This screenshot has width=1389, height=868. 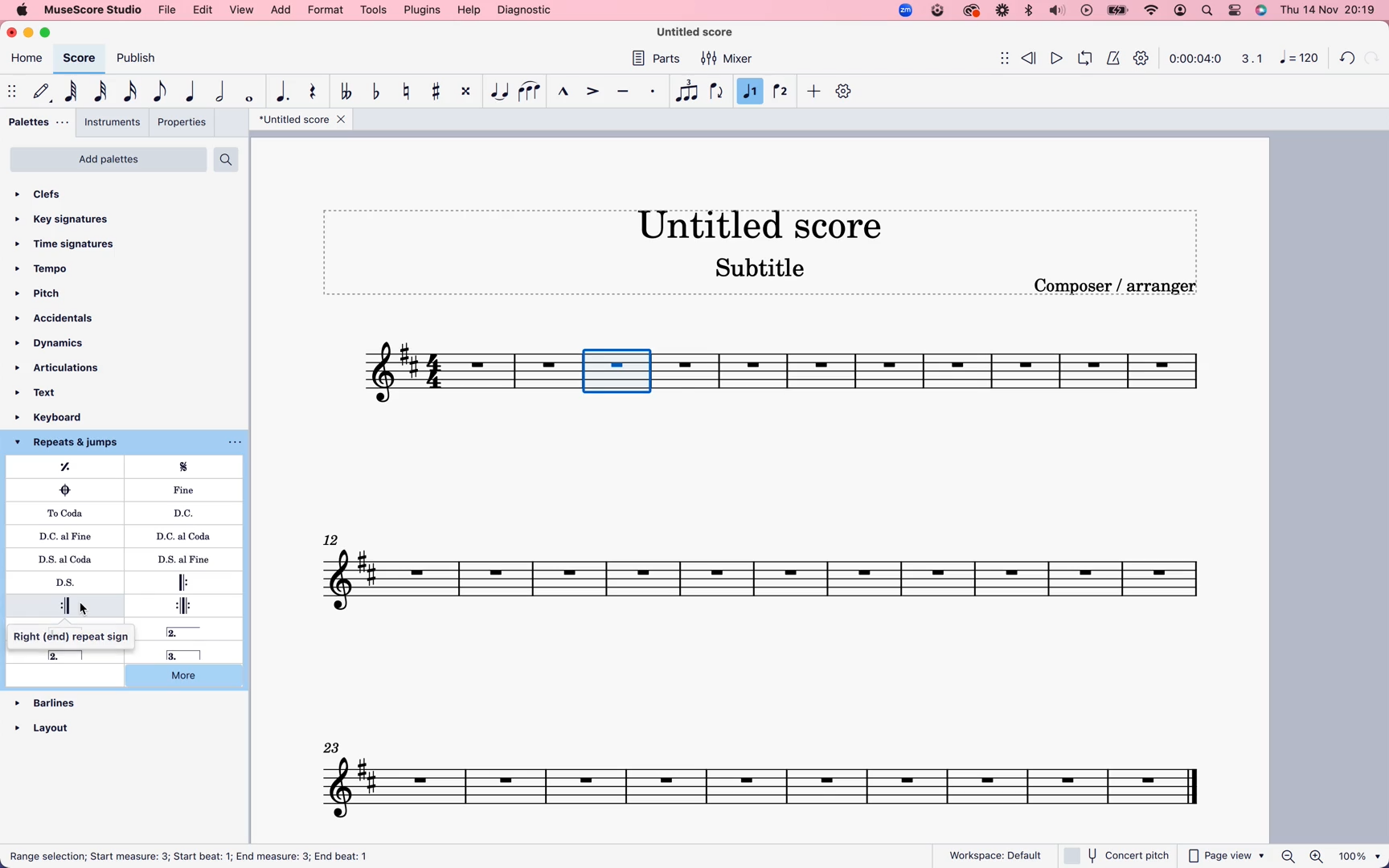 What do you see at coordinates (1116, 855) in the screenshot?
I see `concert pitch` at bounding box center [1116, 855].